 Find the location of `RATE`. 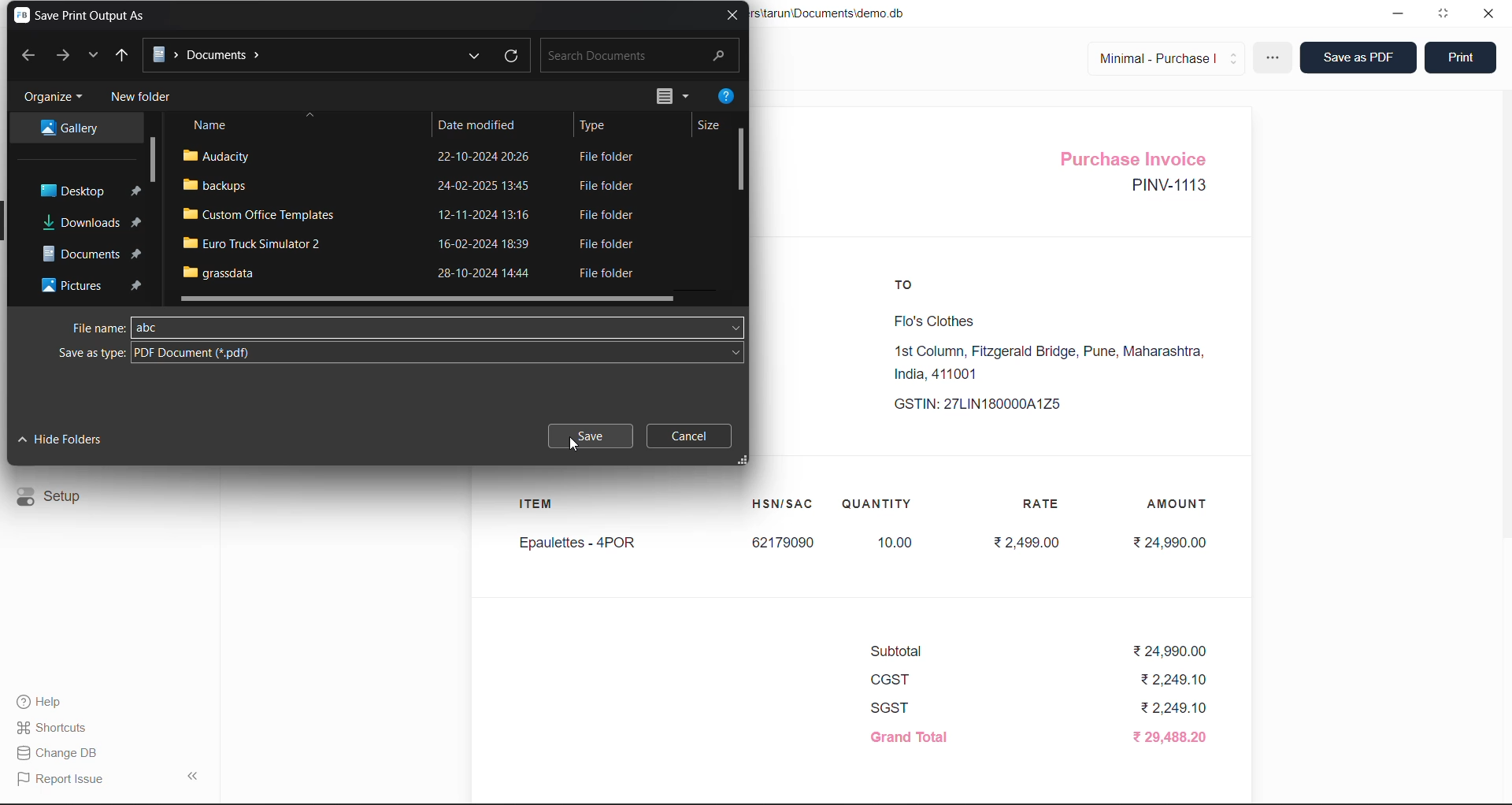

RATE is located at coordinates (1044, 502).